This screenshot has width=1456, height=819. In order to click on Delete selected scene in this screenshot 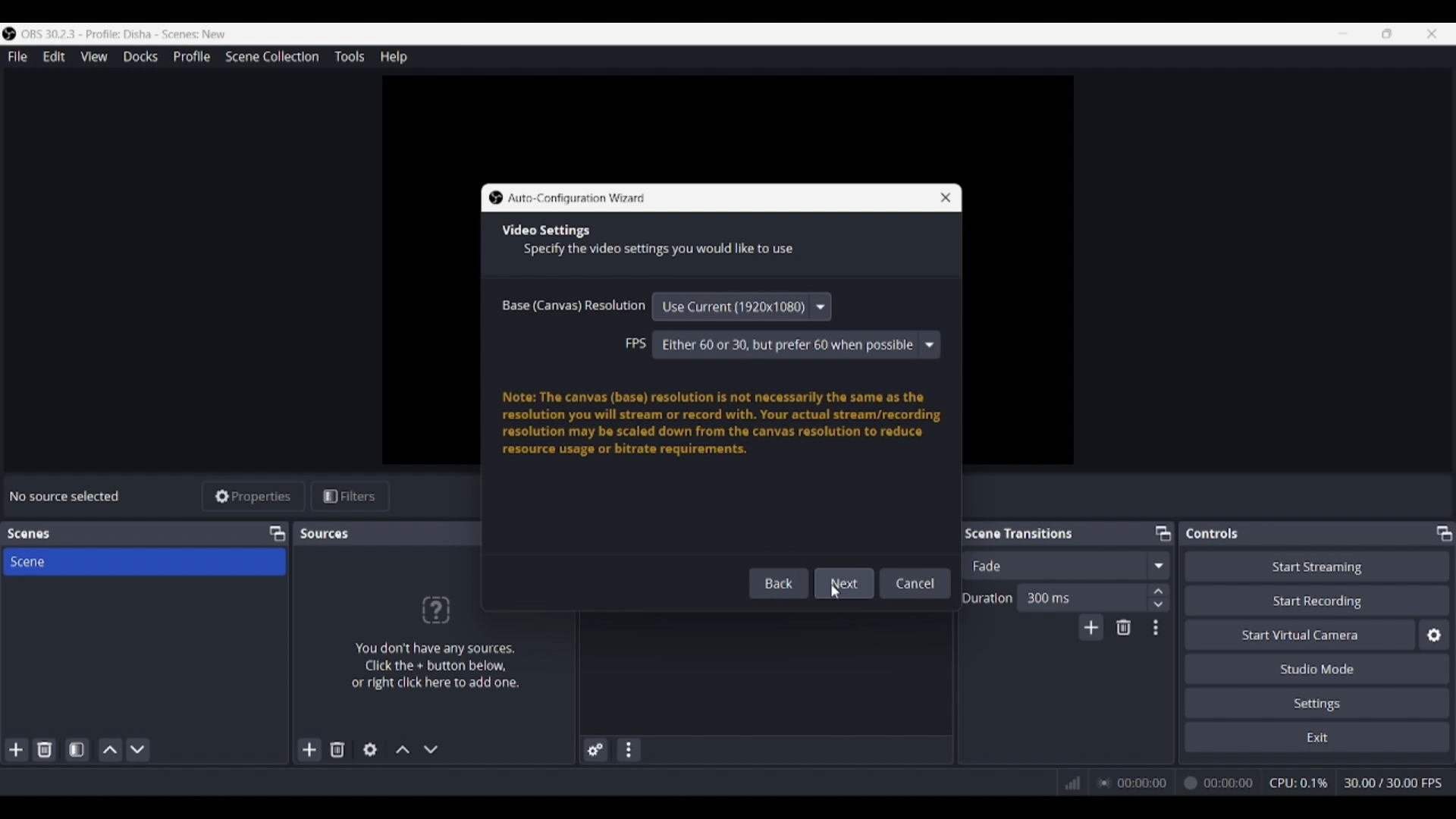, I will do `click(44, 749)`.